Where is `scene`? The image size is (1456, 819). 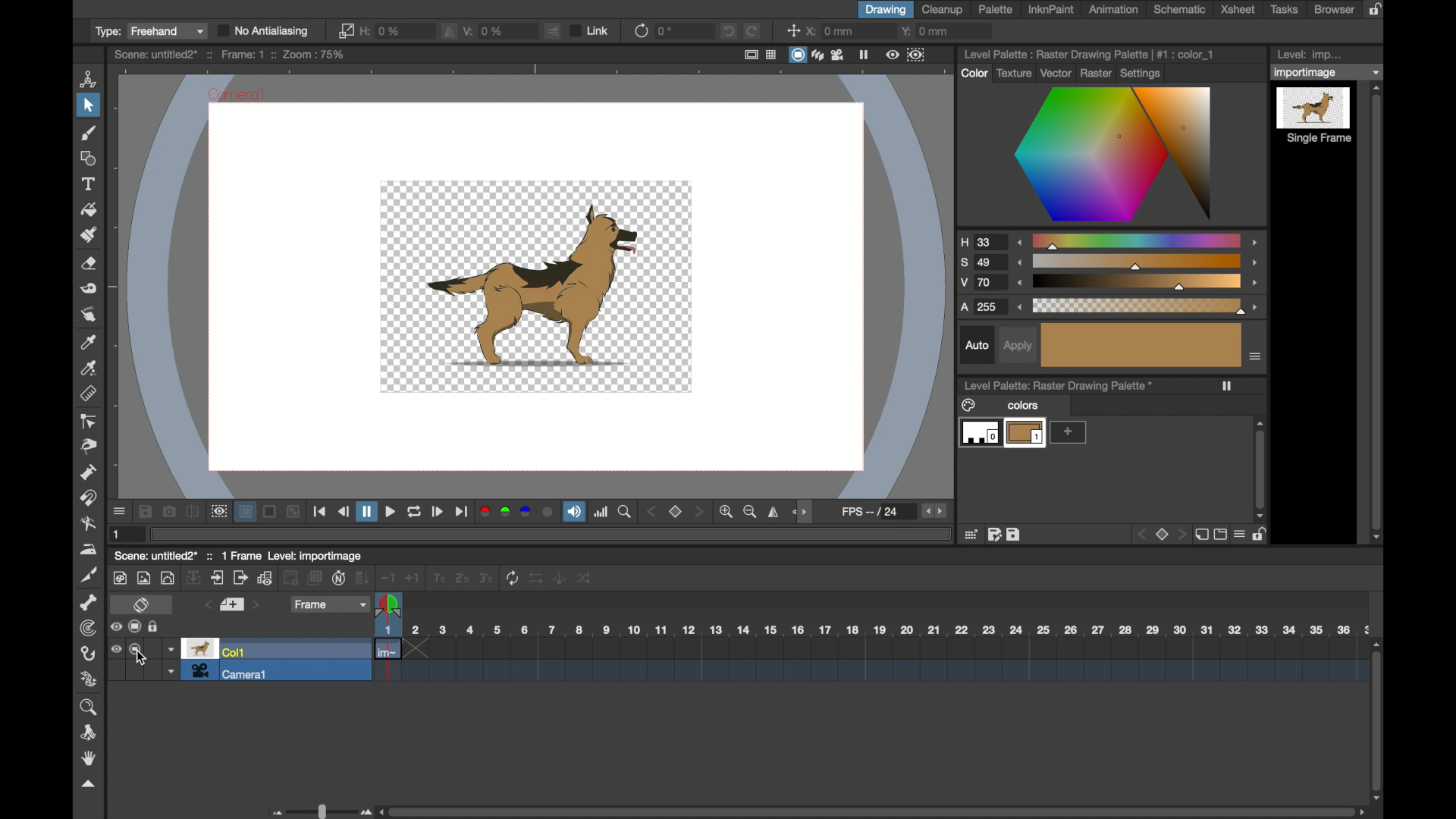
scene is located at coordinates (870, 662).